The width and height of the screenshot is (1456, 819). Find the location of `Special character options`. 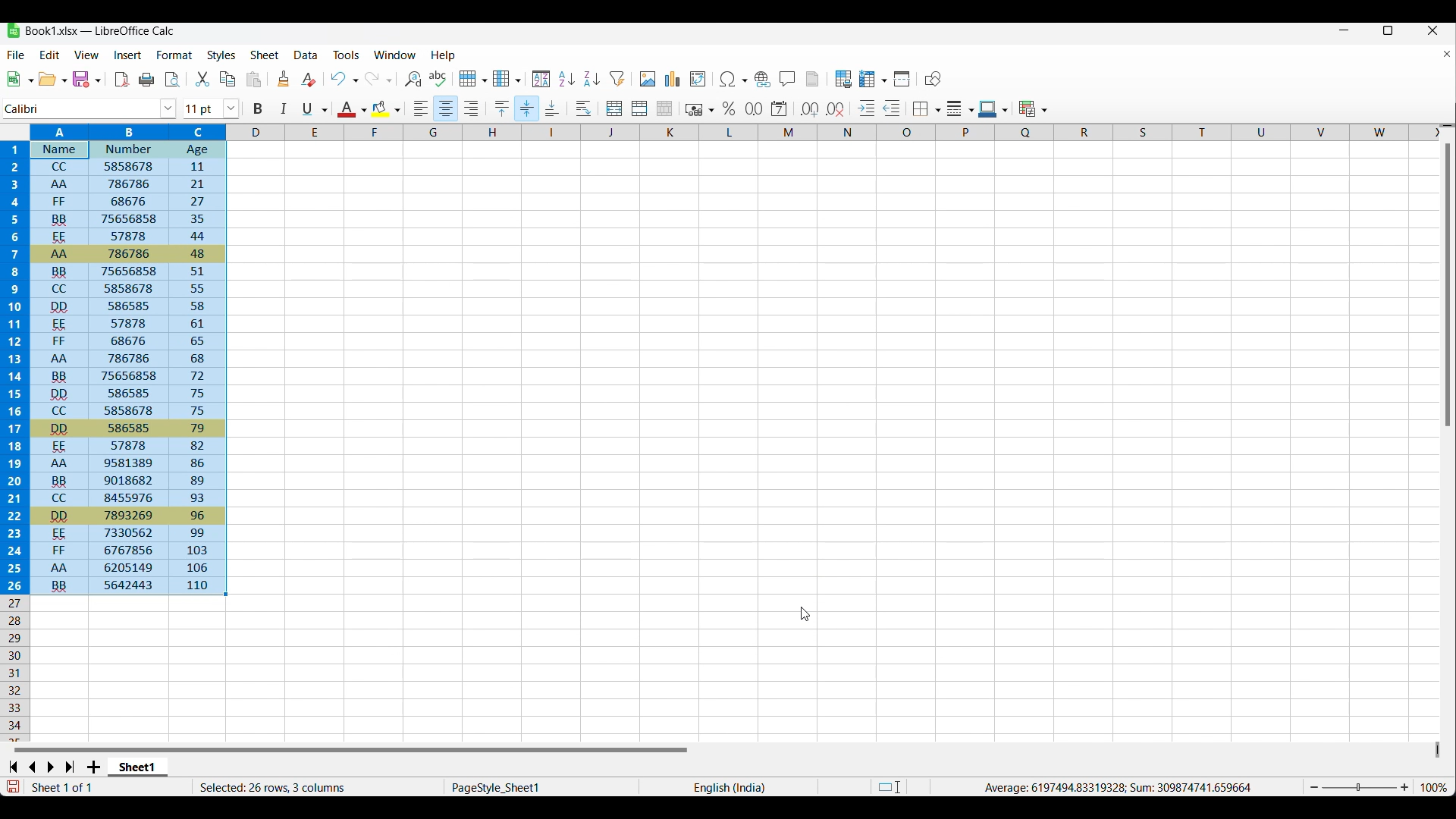

Special character options is located at coordinates (733, 79).